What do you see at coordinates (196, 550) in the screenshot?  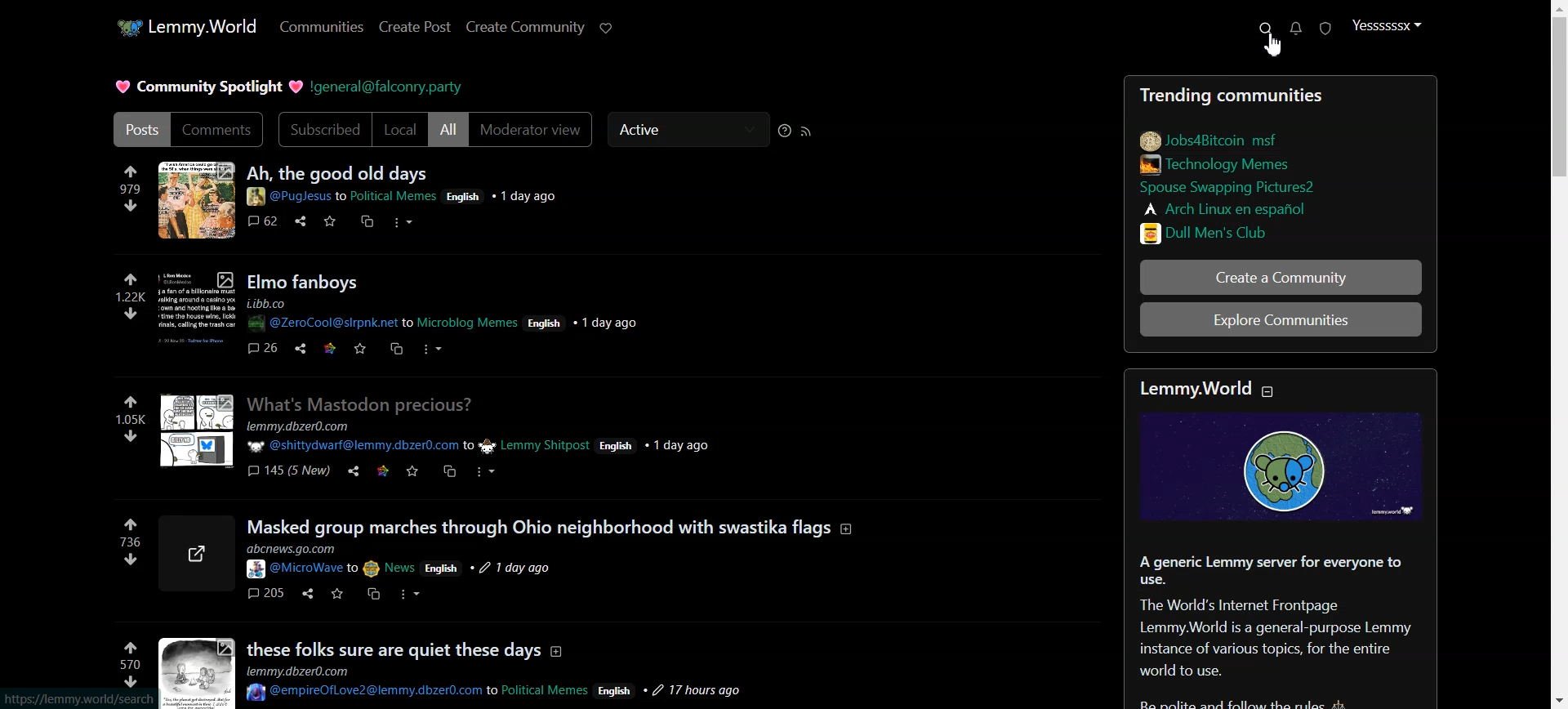 I see `link` at bounding box center [196, 550].